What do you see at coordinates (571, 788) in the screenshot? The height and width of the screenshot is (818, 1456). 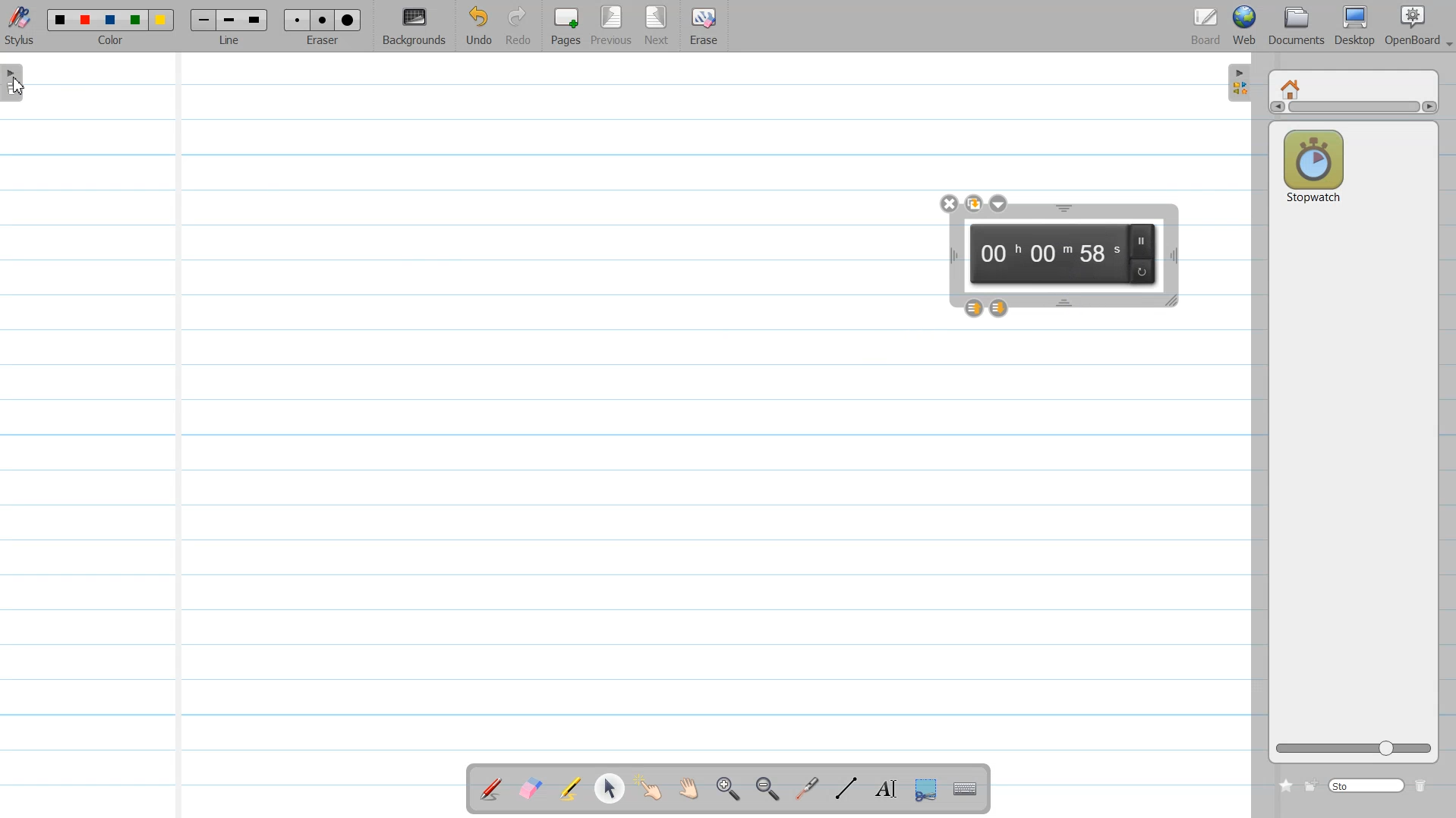 I see `Highlight` at bounding box center [571, 788].